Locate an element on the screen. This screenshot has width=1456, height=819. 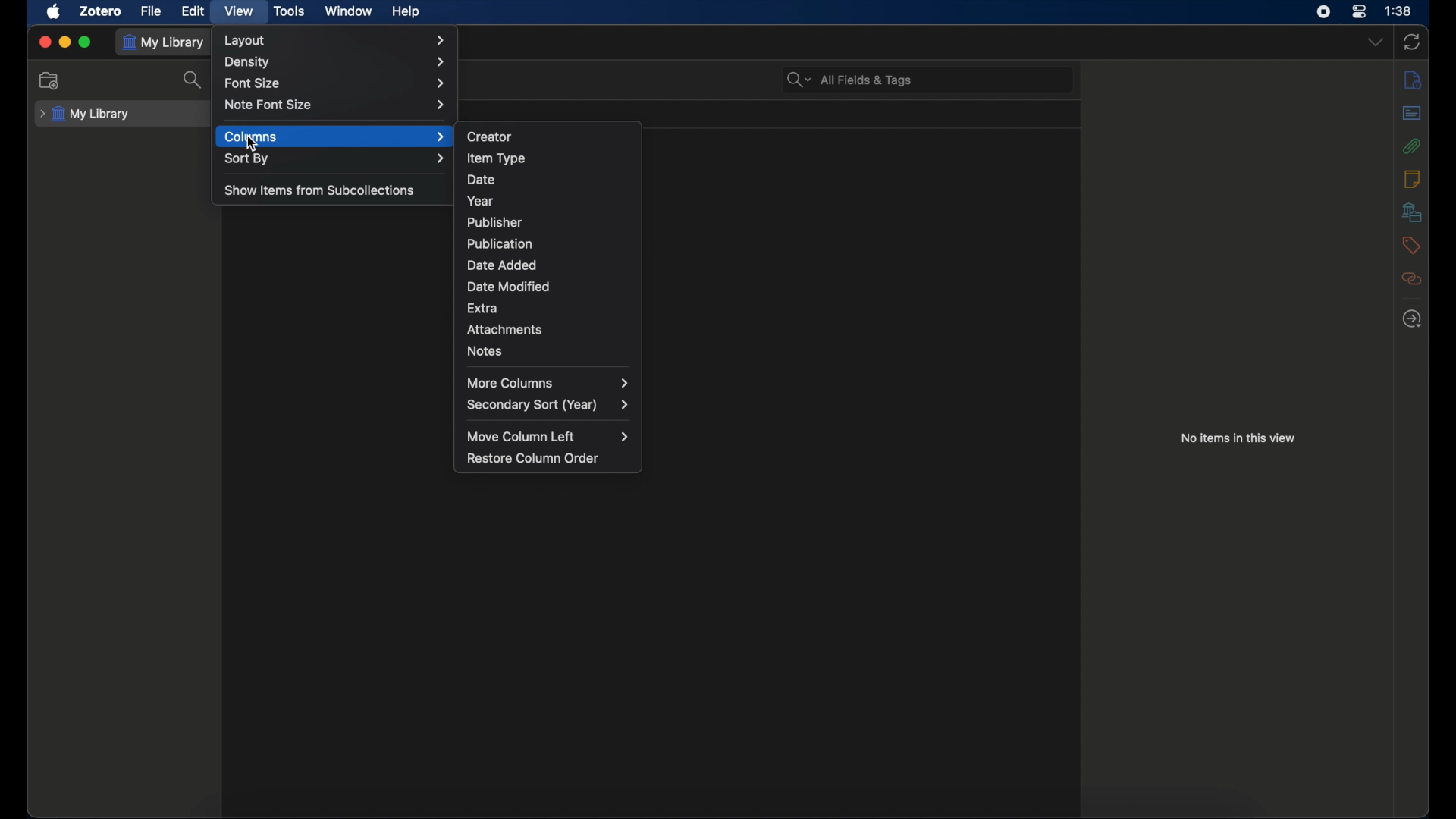
new collections is located at coordinates (51, 81).